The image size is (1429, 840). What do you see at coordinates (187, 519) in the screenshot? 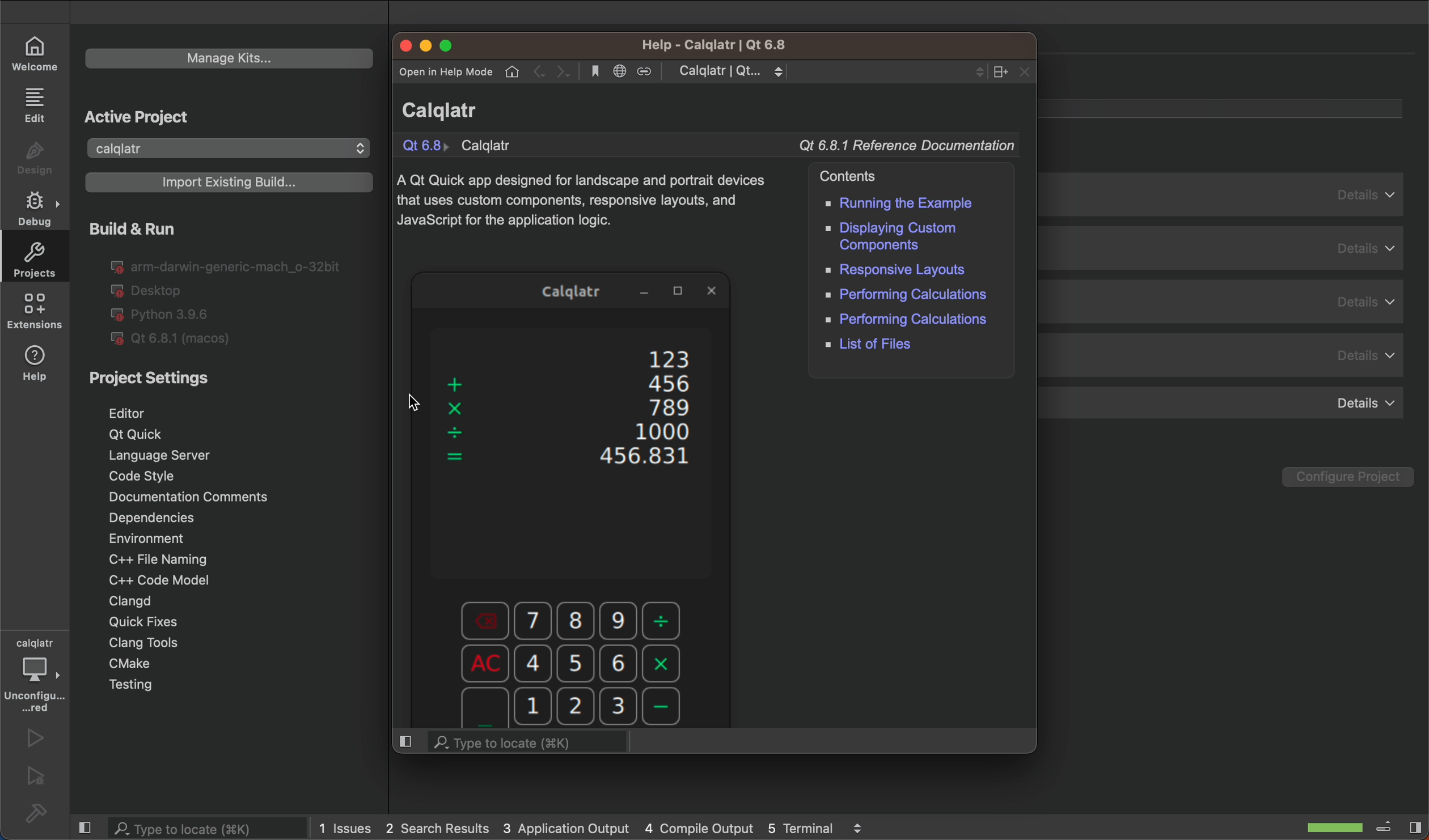
I see `dependencies` at bounding box center [187, 519].